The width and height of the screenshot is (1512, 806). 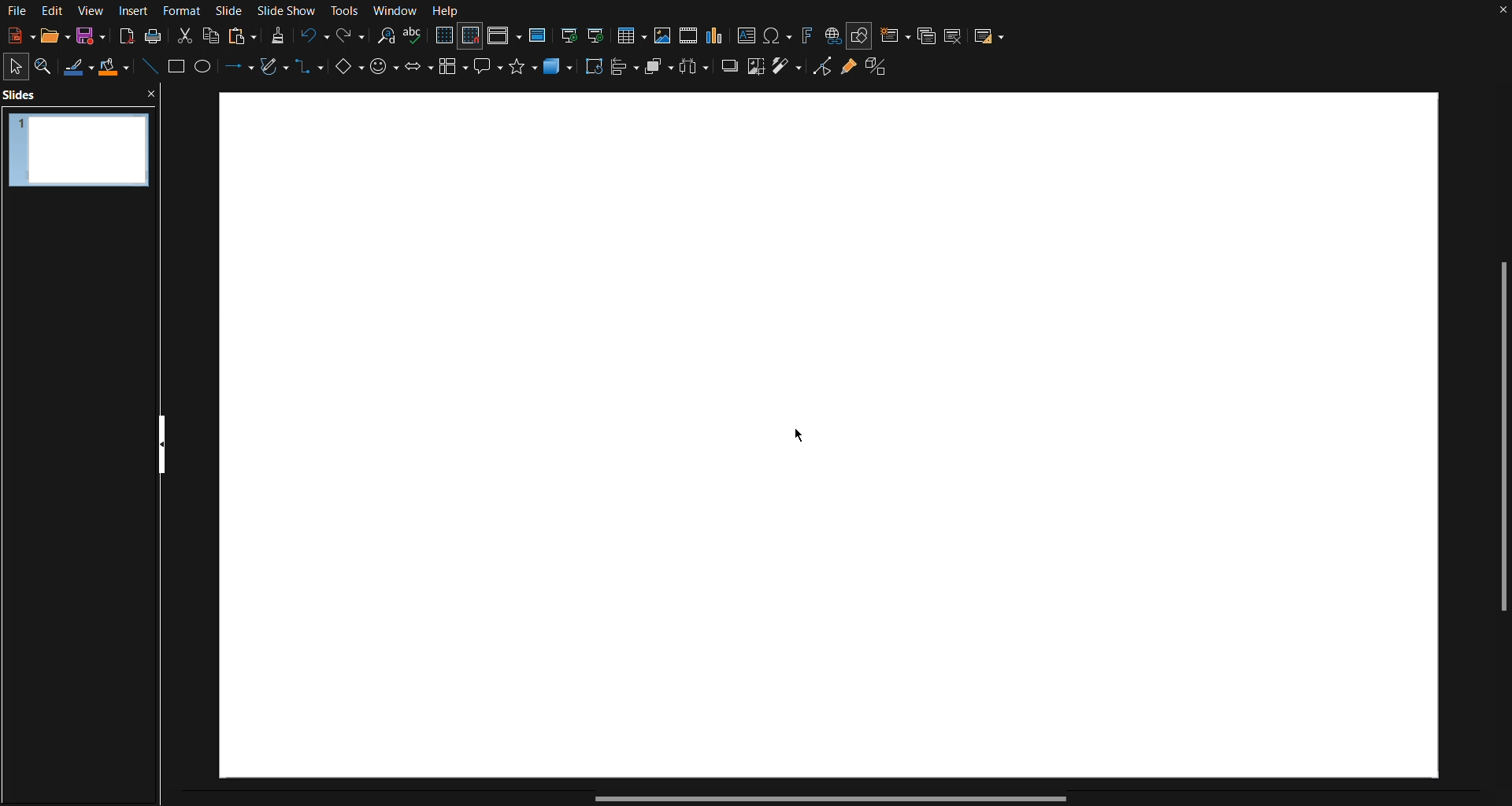 I want to click on Start from current slide, so click(x=601, y=34).